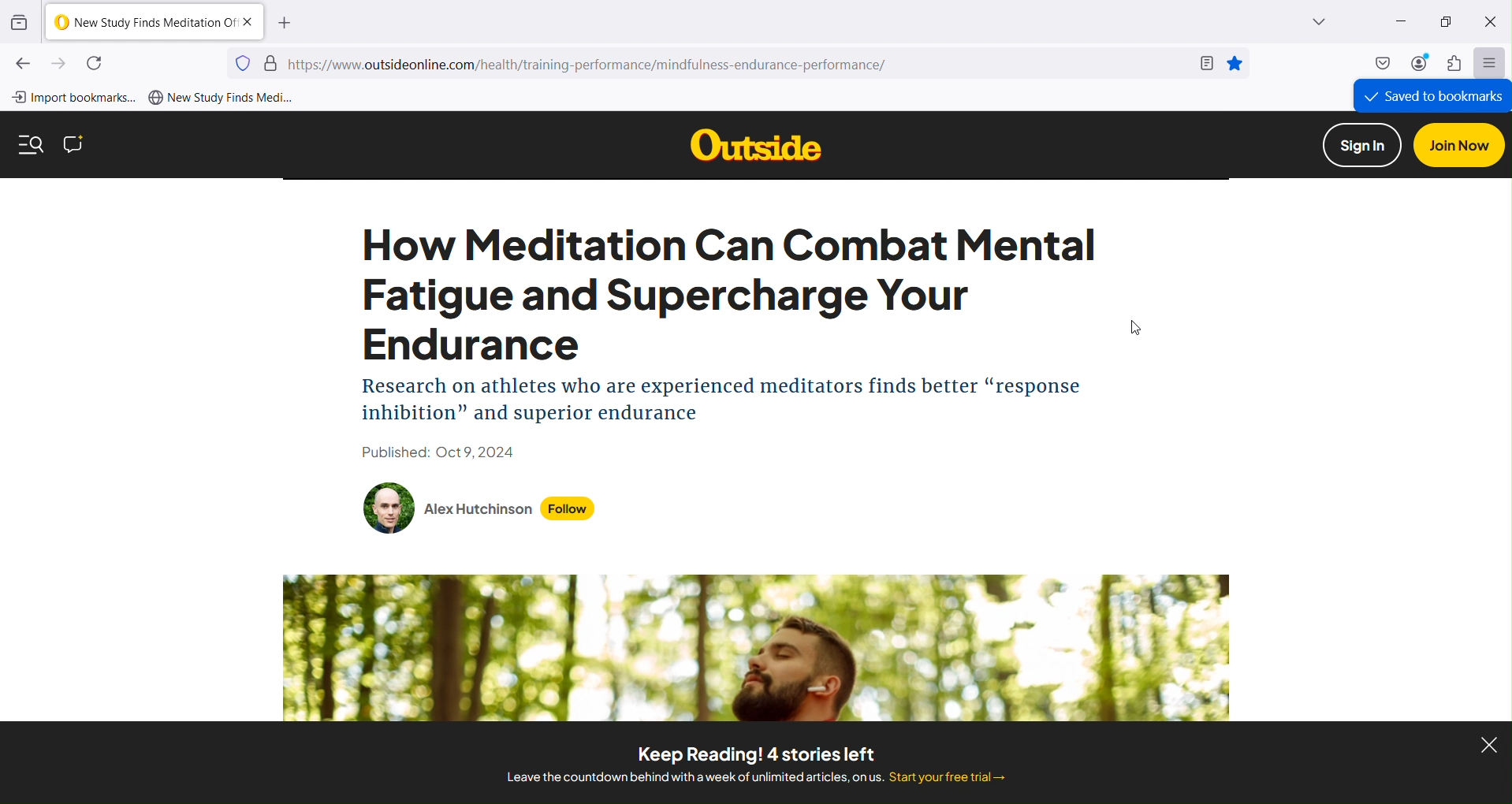  Describe the element at coordinates (389, 508) in the screenshot. I see `Author's image` at that location.